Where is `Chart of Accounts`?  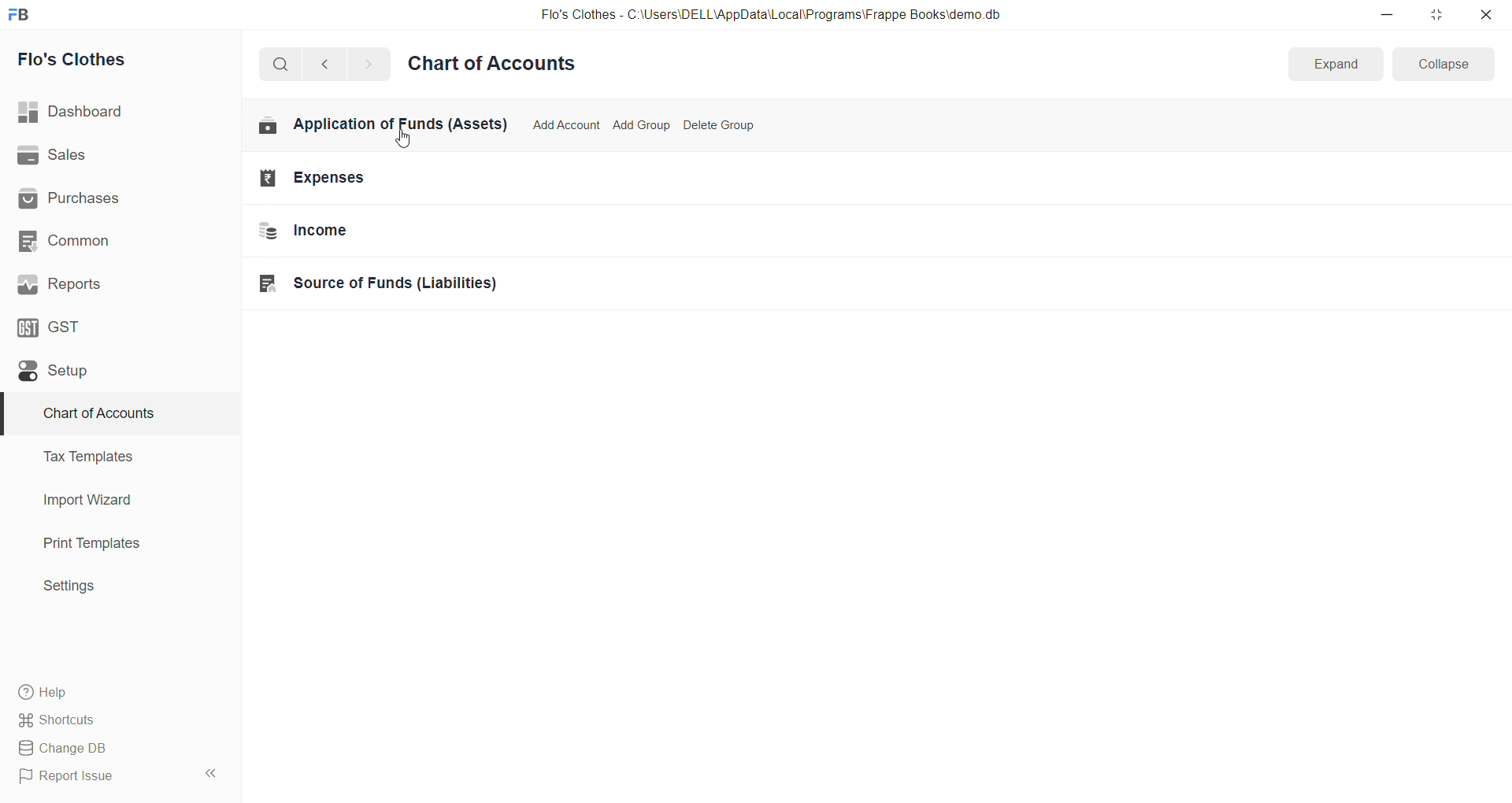
Chart of Accounts is located at coordinates (110, 414).